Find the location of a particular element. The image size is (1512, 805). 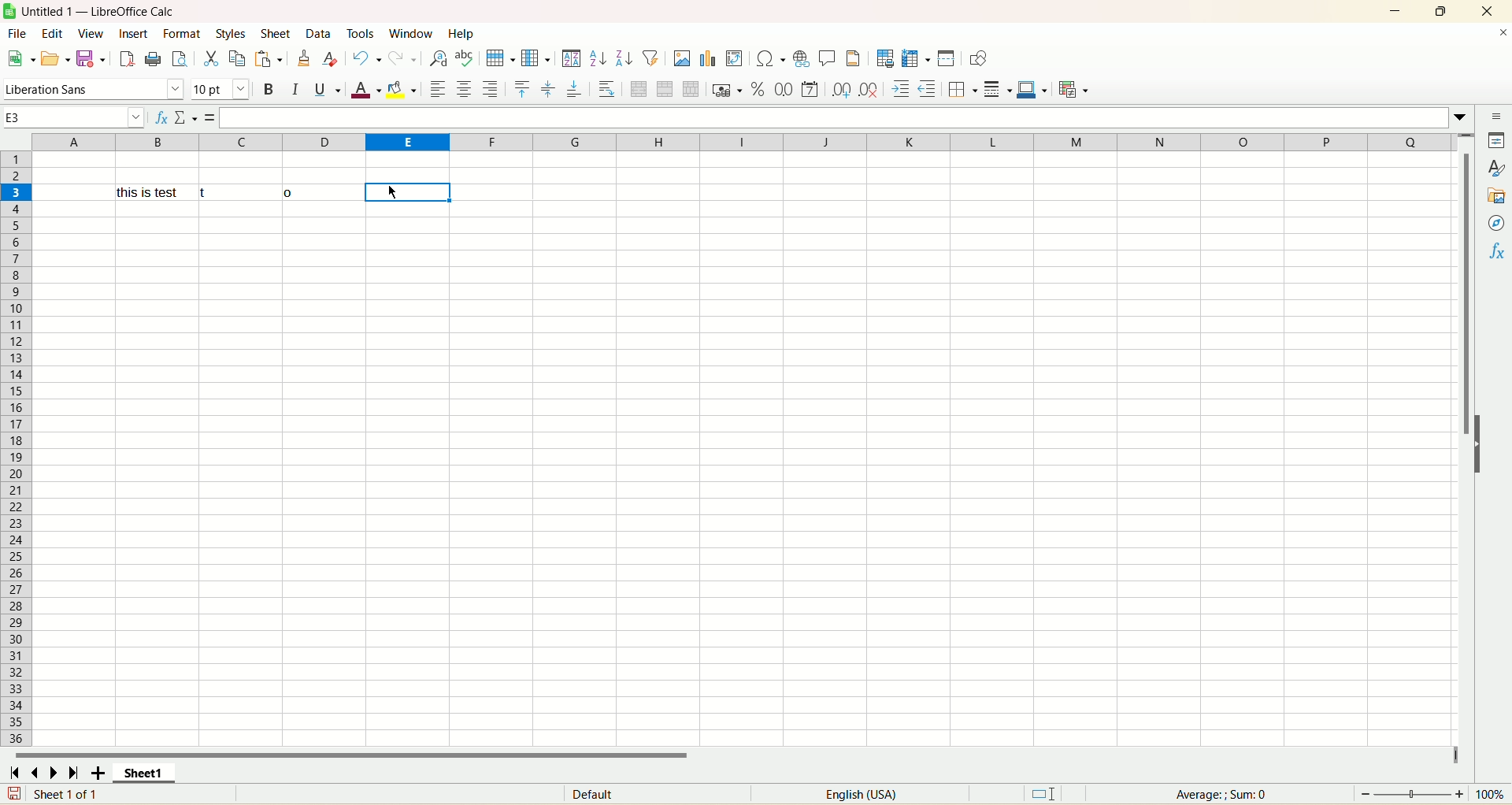

styles is located at coordinates (229, 32).